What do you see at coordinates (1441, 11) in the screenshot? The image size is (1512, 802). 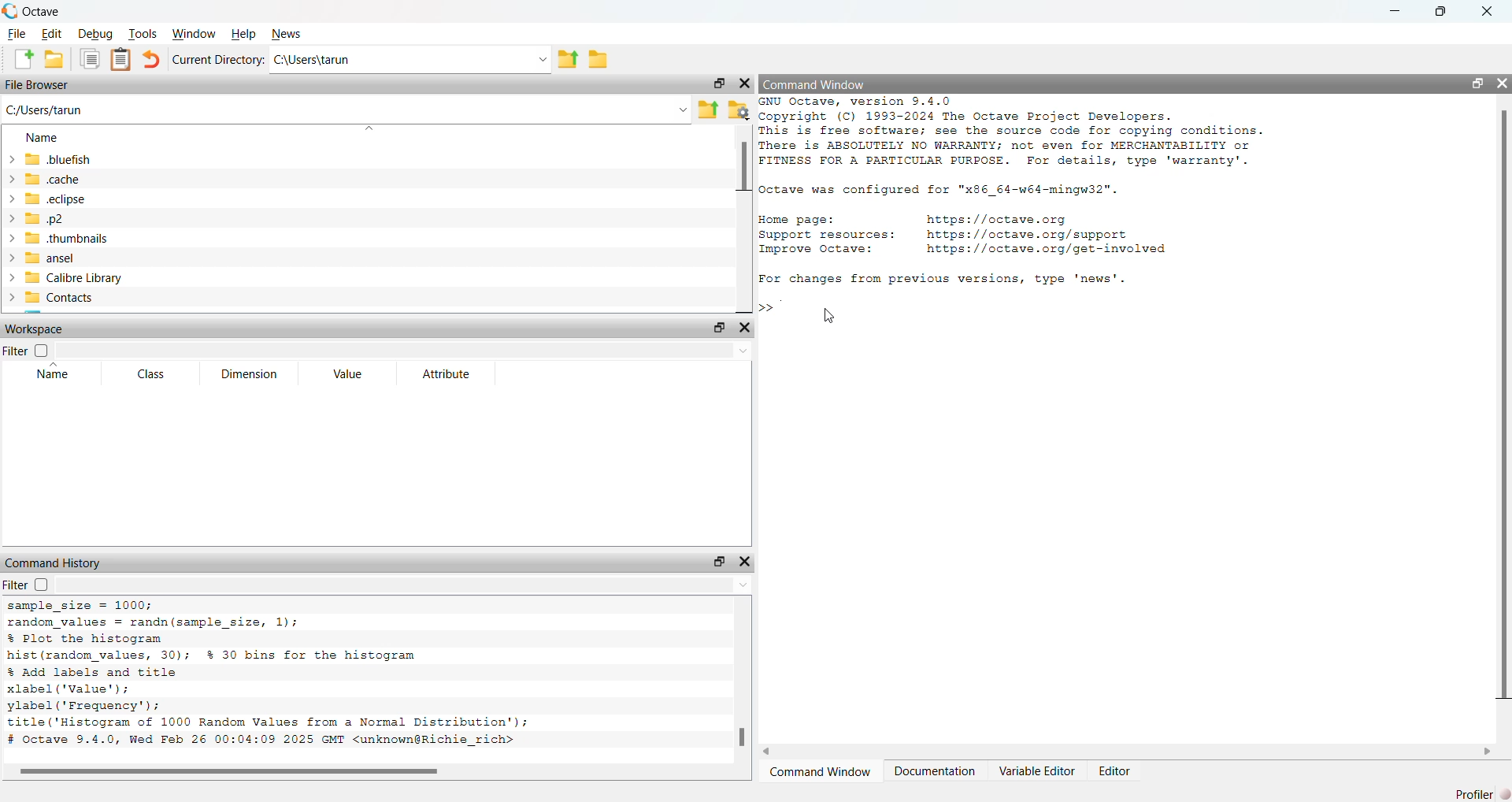 I see `maximize` at bounding box center [1441, 11].